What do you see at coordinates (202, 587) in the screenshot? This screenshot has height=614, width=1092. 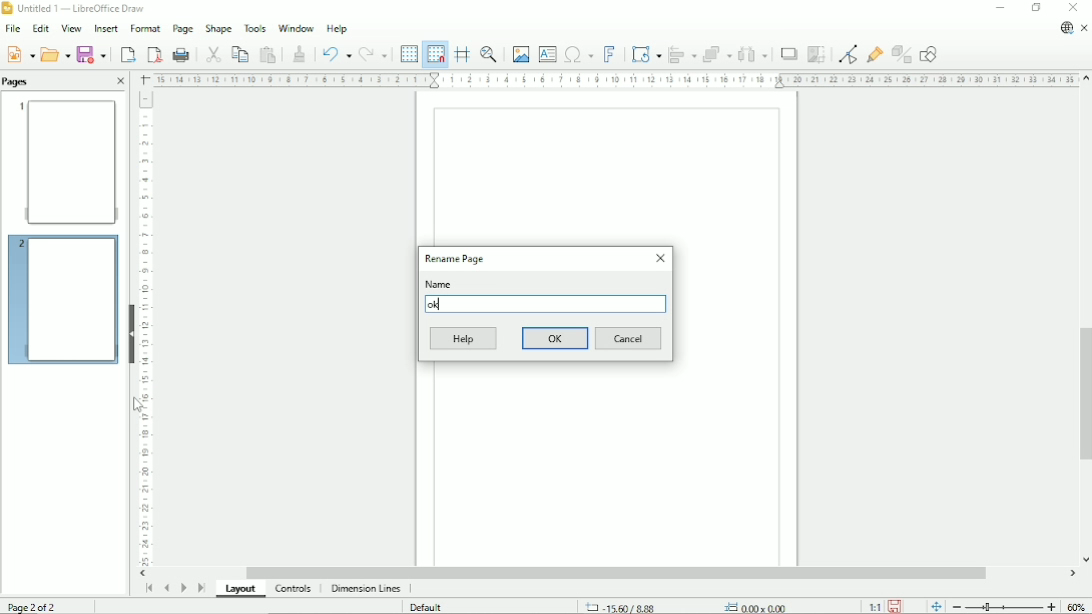 I see `Scroll to last page` at bounding box center [202, 587].